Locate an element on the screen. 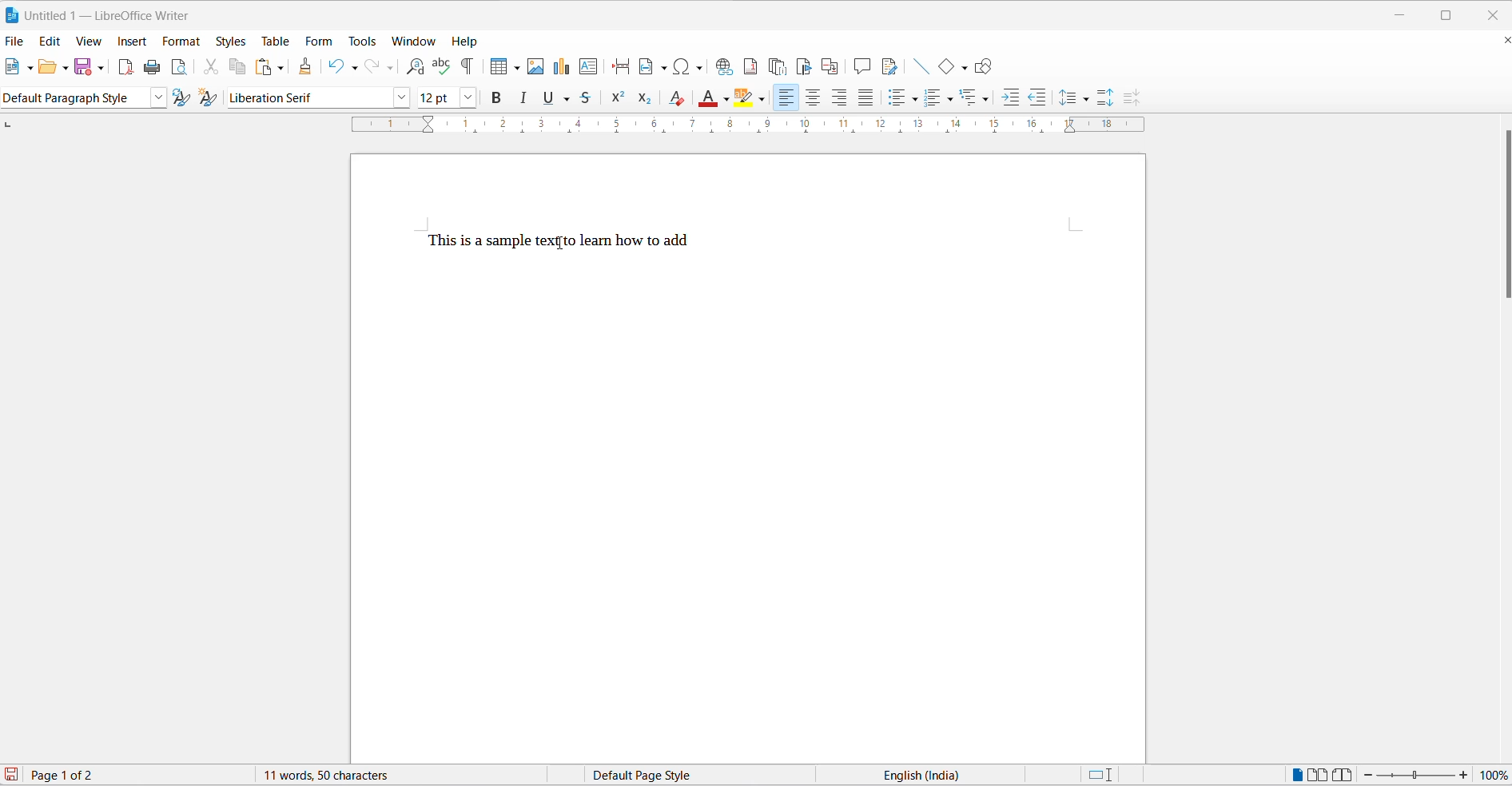  underline options is located at coordinates (571, 99).